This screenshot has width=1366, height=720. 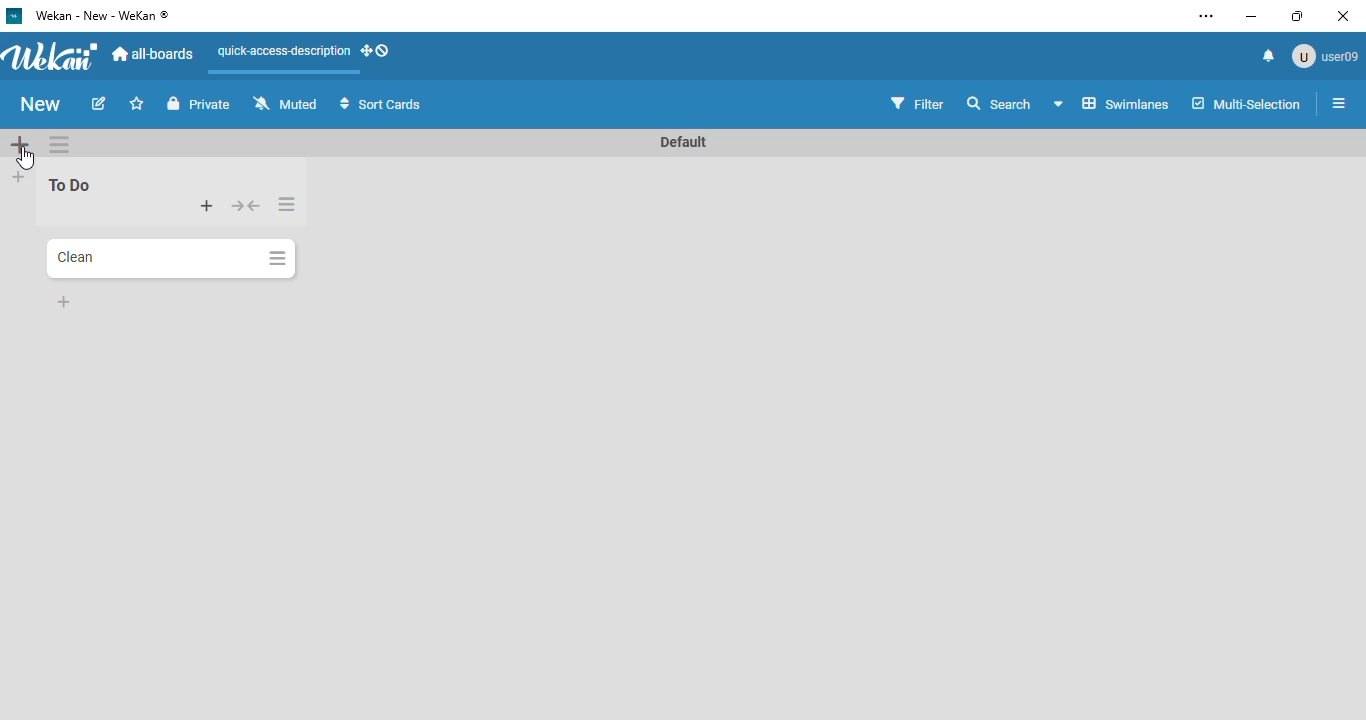 I want to click on list actions, so click(x=286, y=204).